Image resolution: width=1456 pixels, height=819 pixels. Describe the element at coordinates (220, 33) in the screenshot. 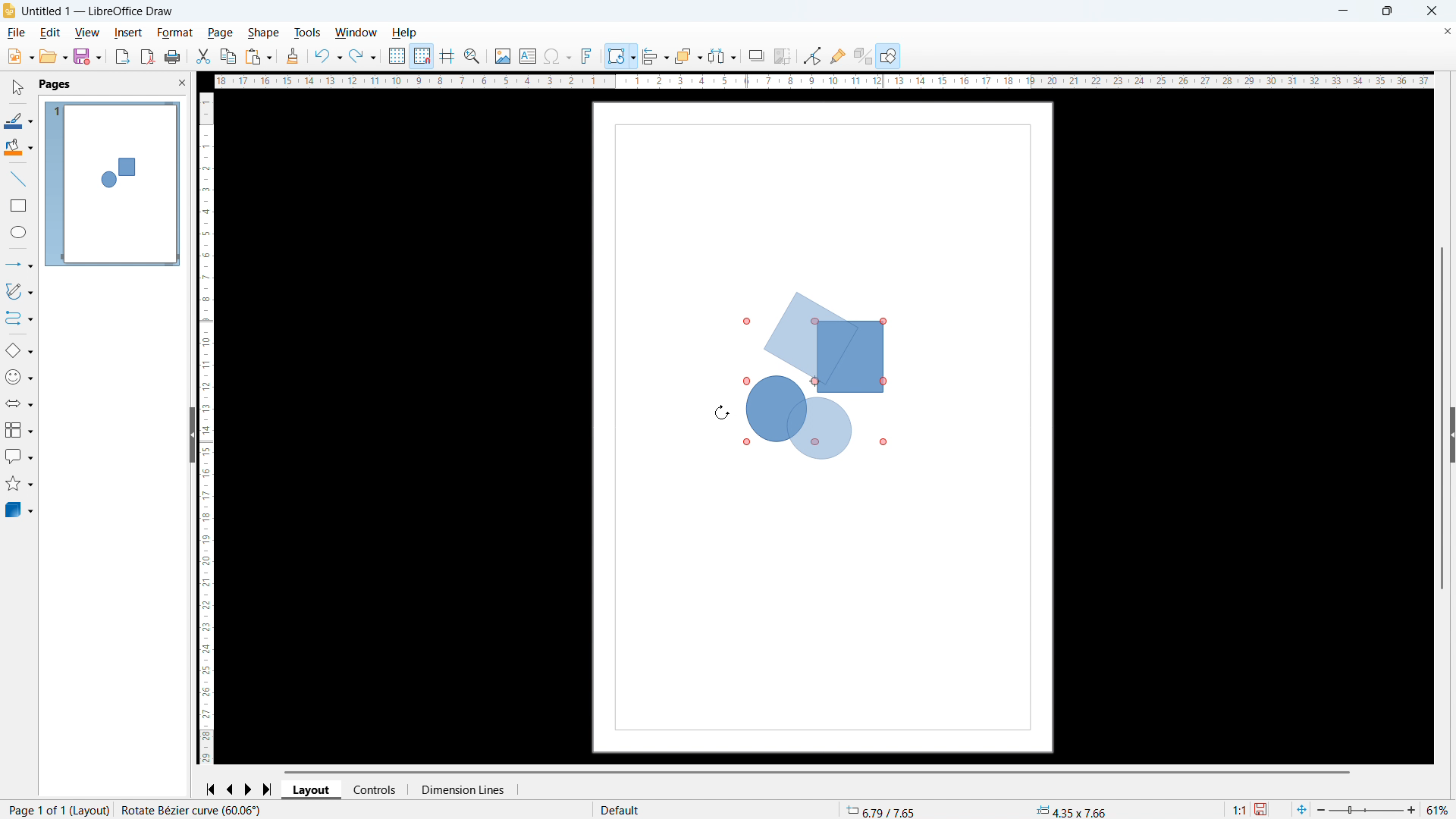

I see `page ` at that location.